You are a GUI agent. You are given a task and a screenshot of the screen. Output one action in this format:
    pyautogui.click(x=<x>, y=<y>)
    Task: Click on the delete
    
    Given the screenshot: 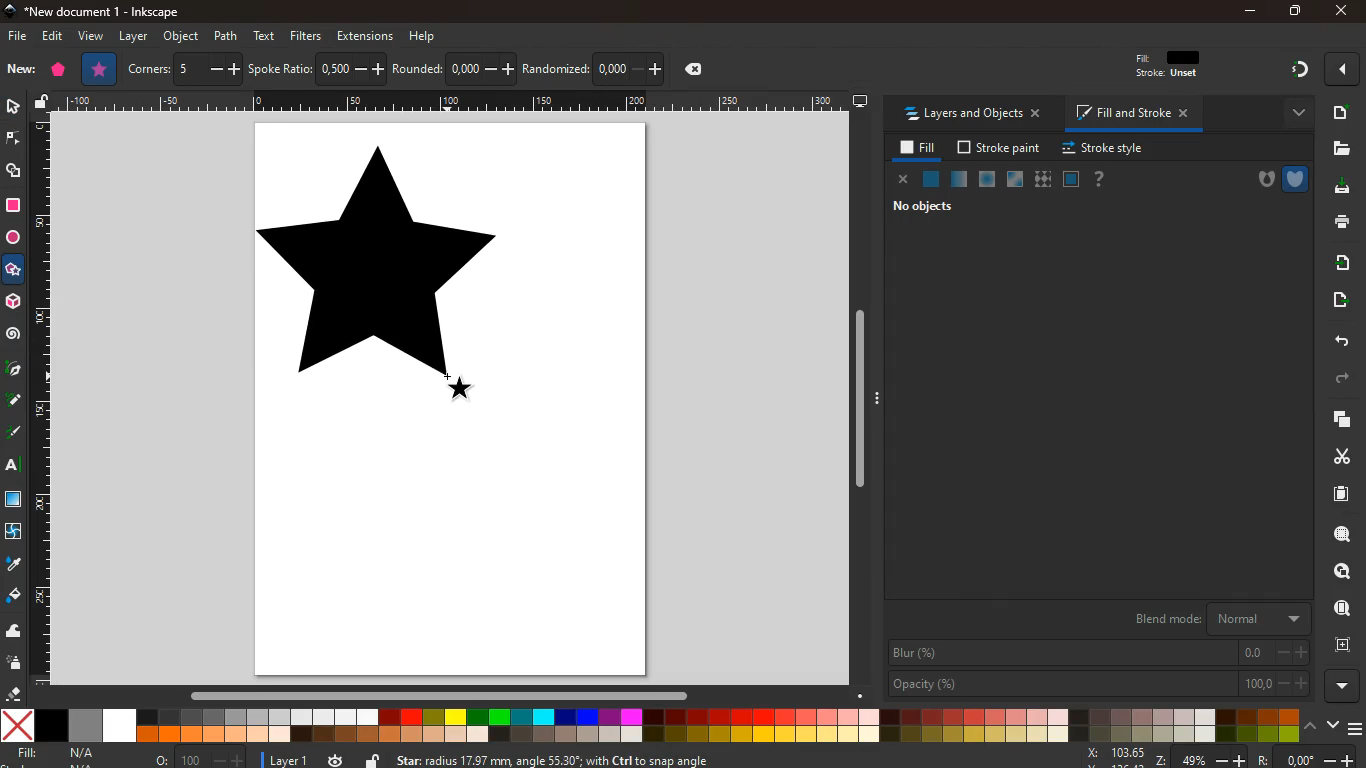 What is the action you would take?
    pyautogui.click(x=698, y=71)
    